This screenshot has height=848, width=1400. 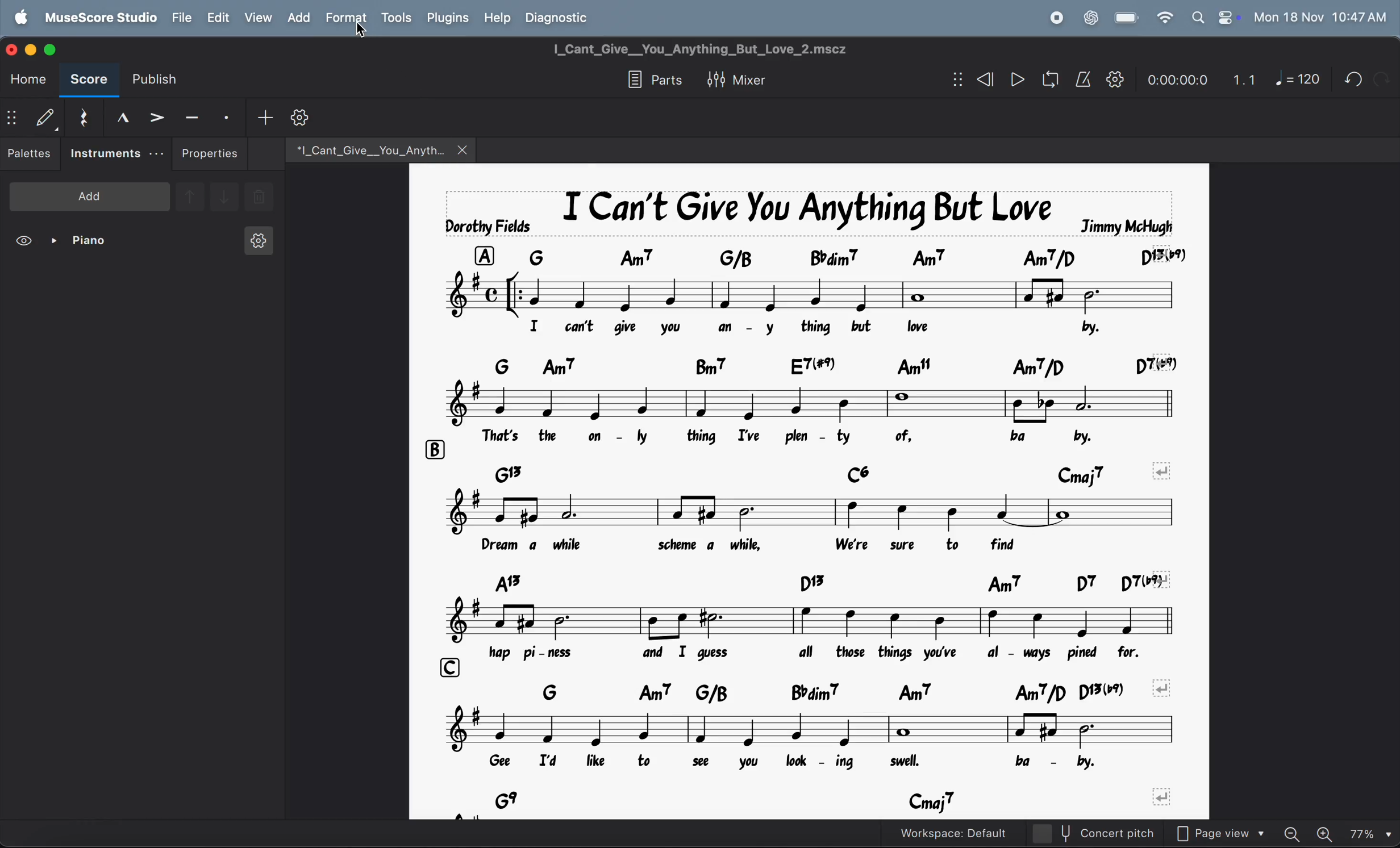 What do you see at coordinates (1197, 17) in the screenshot?
I see `search` at bounding box center [1197, 17].